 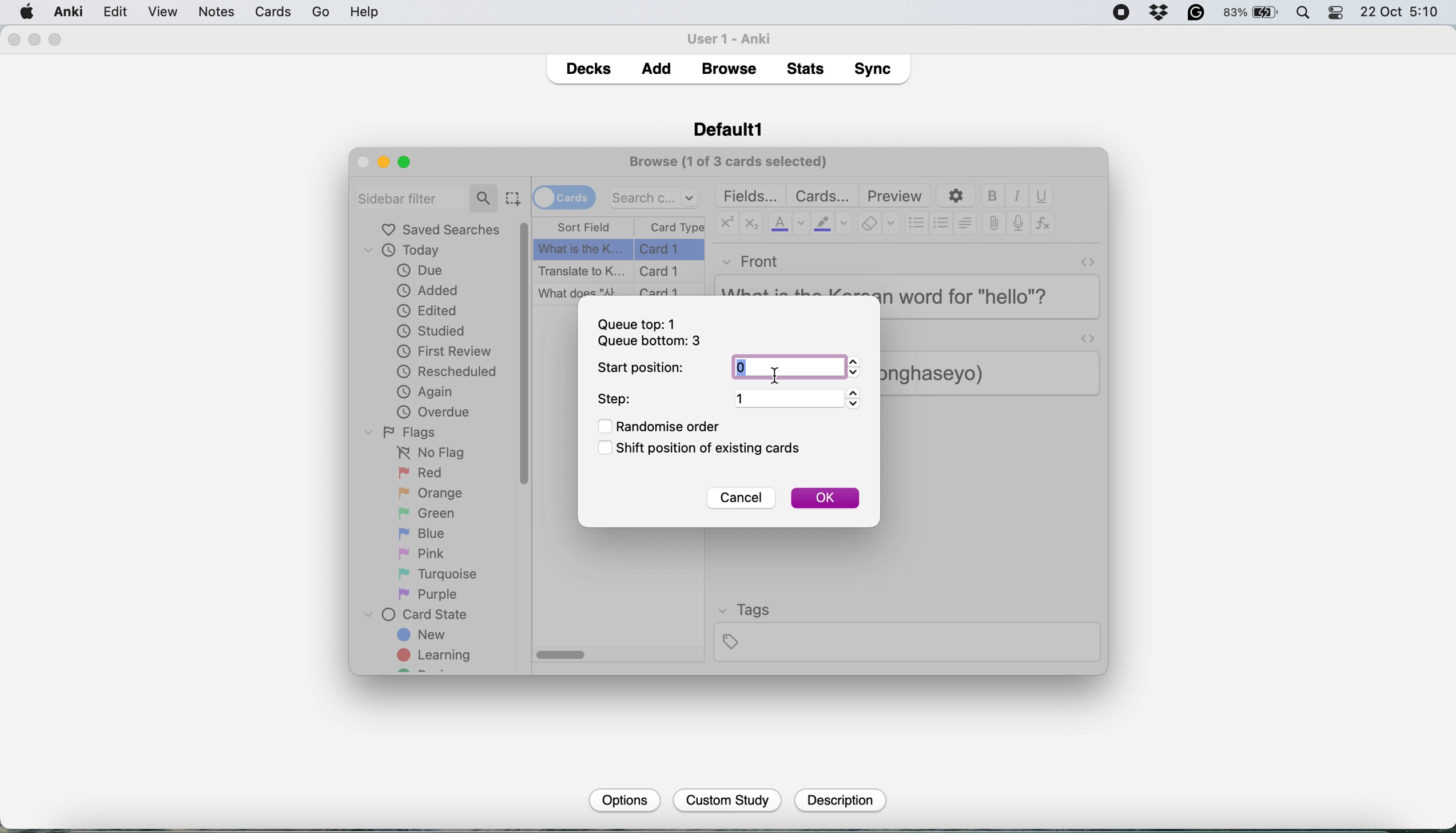 I want to click on step:, so click(x=617, y=399).